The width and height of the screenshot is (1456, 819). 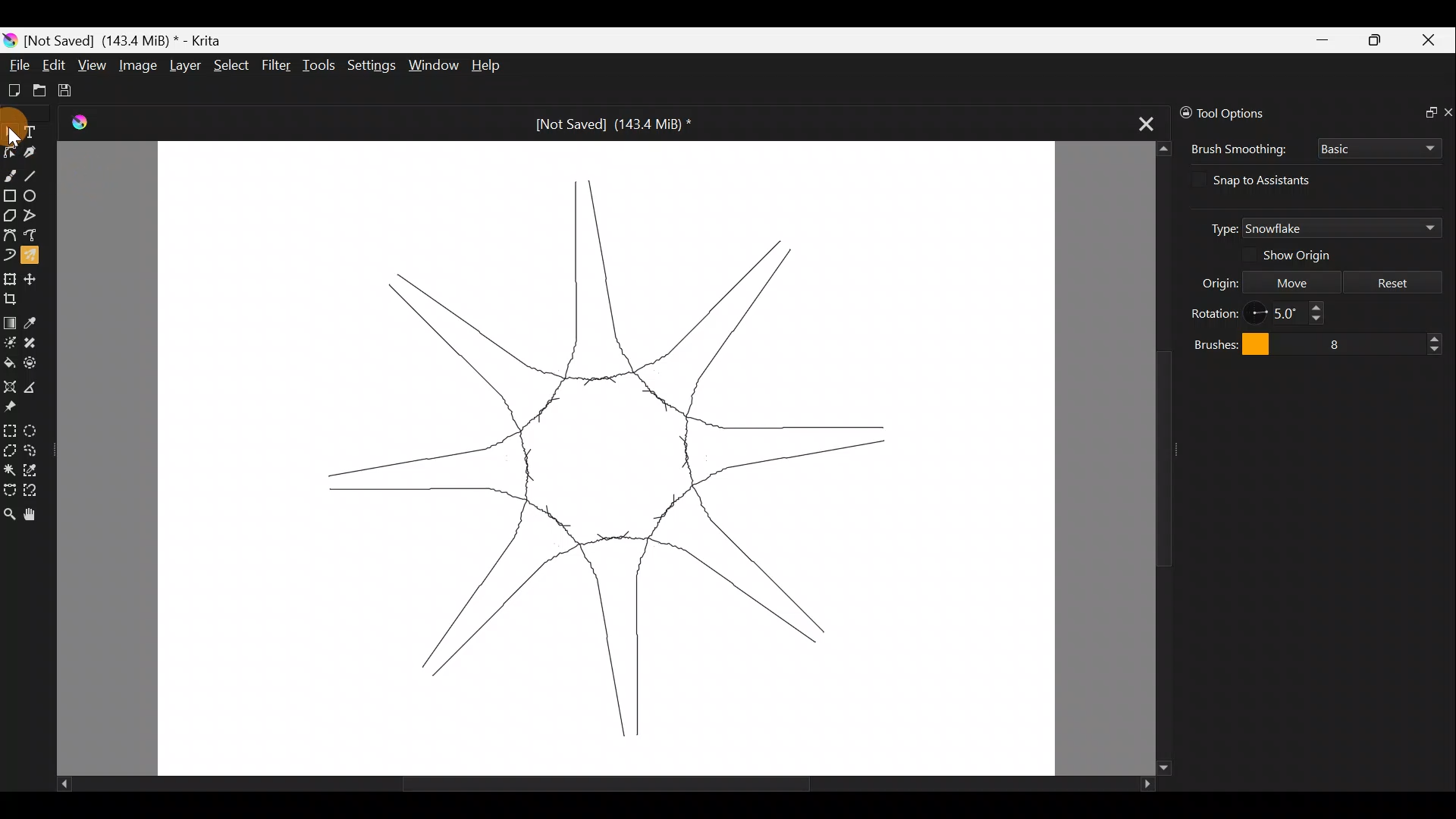 I want to click on Brushes, so click(x=1227, y=343).